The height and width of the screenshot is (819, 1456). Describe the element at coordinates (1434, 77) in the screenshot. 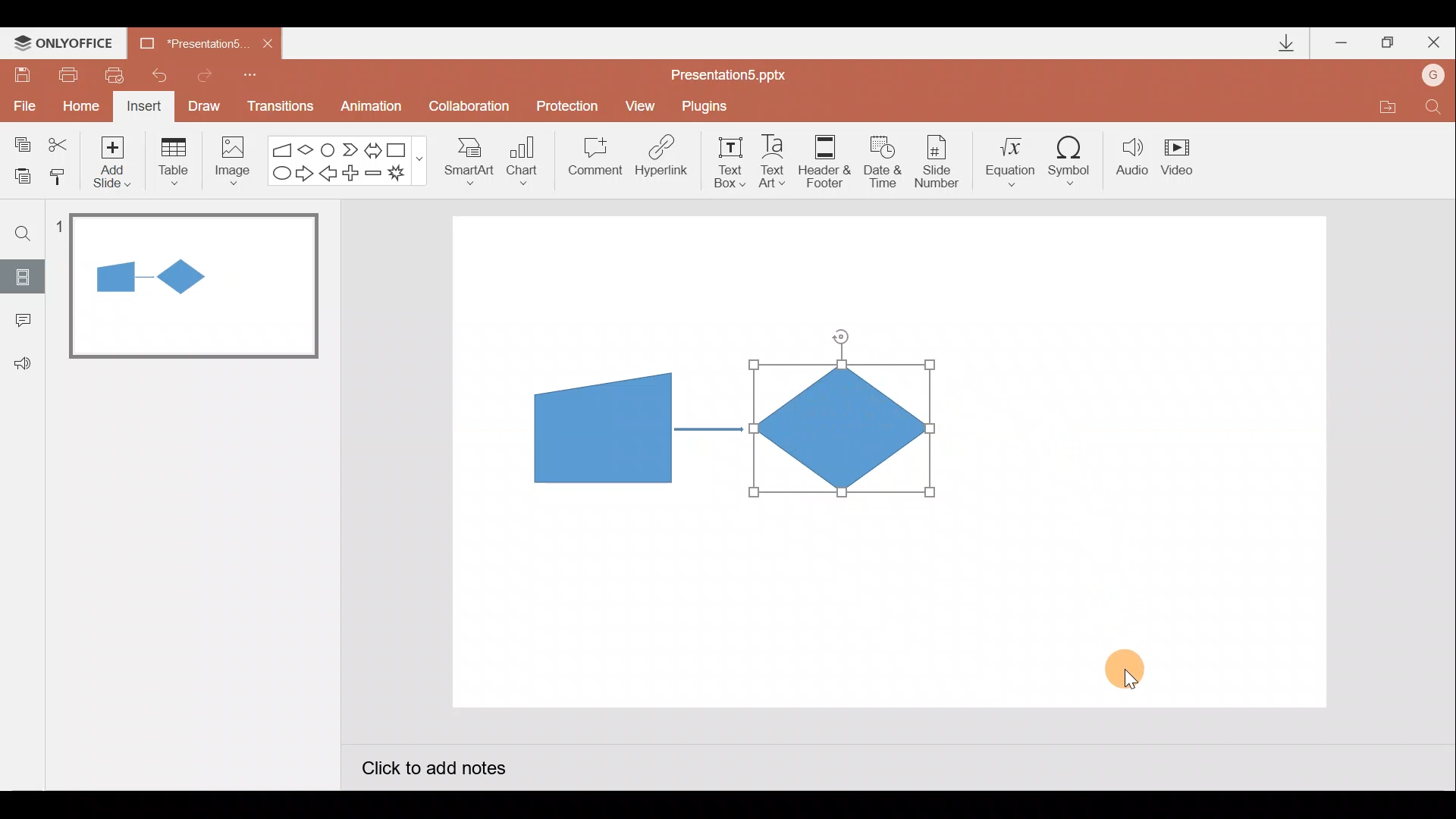

I see `Account name` at that location.